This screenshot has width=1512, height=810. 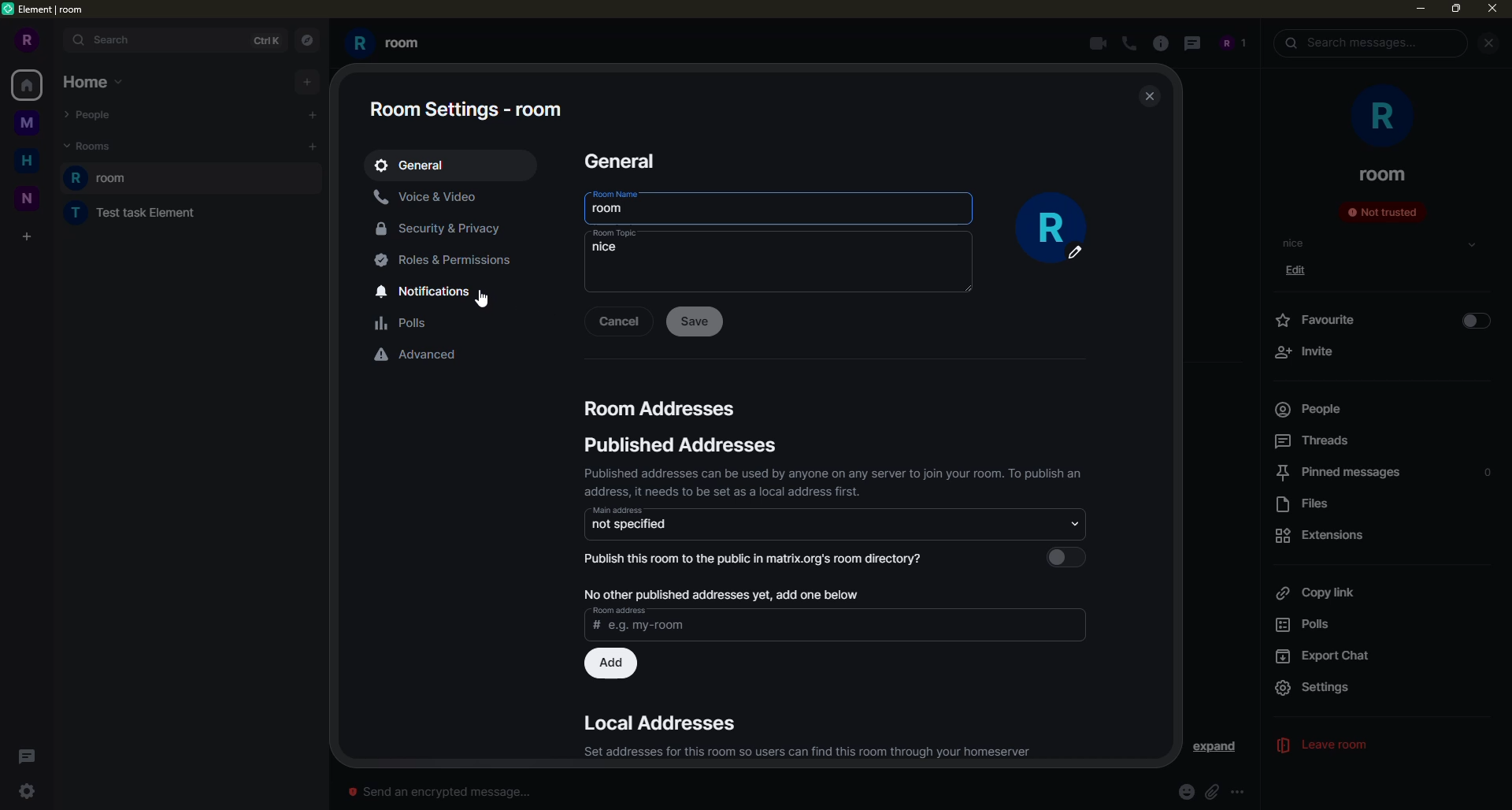 I want to click on files, so click(x=1310, y=504).